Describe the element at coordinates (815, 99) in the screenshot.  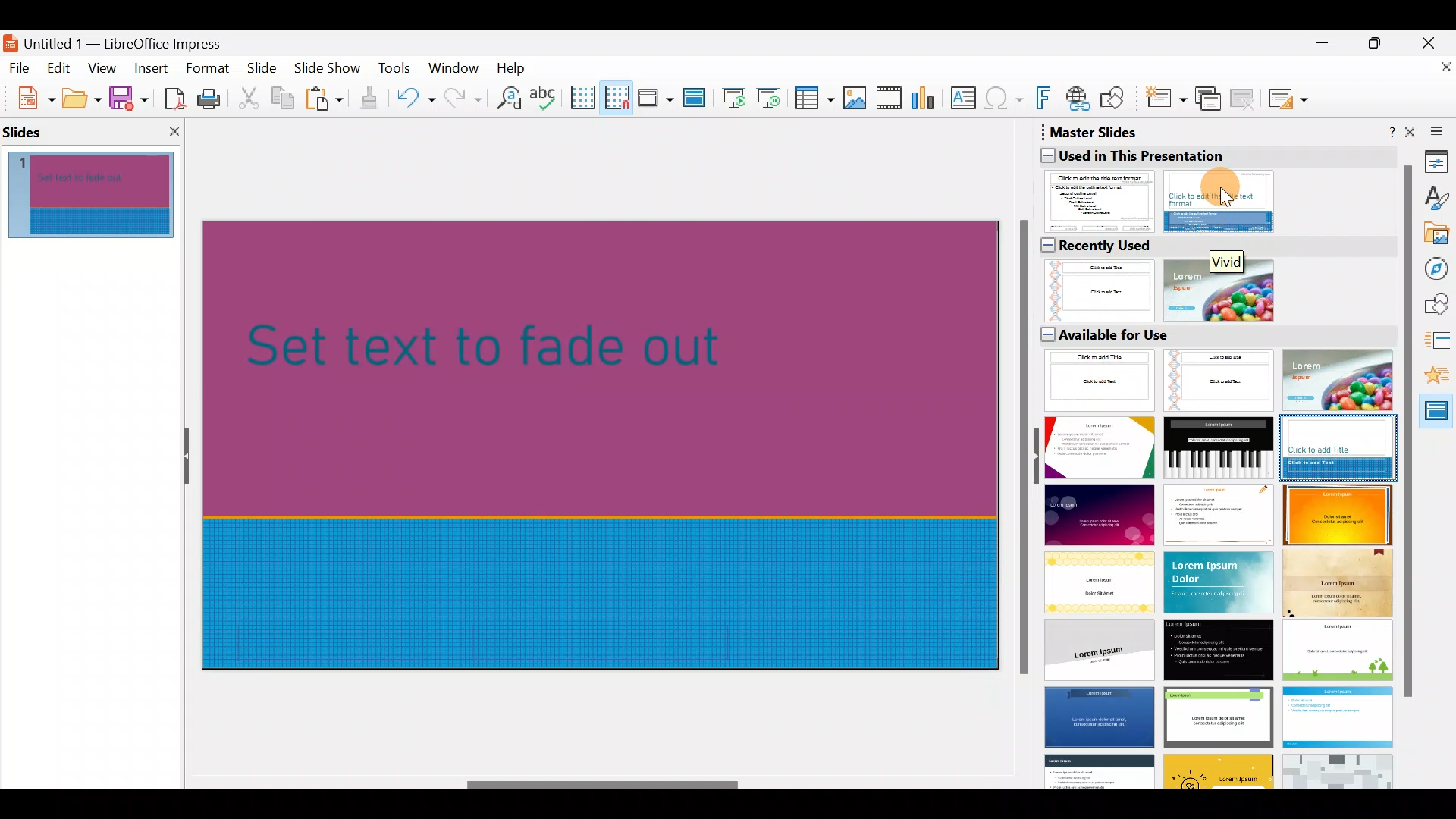
I see `Table` at that location.